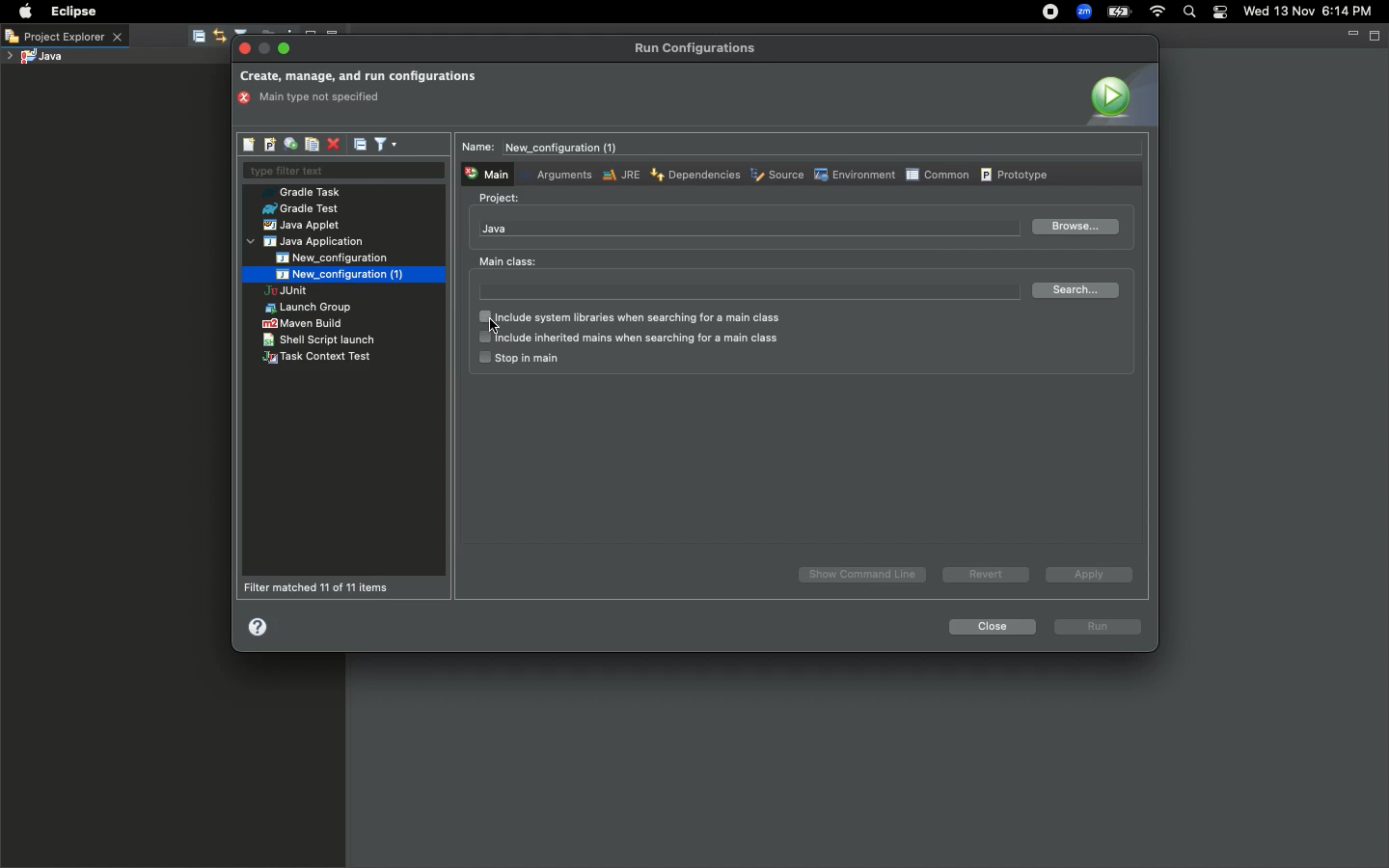 The height and width of the screenshot is (868, 1389). What do you see at coordinates (299, 209) in the screenshot?
I see `Grade test` at bounding box center [299, 209].